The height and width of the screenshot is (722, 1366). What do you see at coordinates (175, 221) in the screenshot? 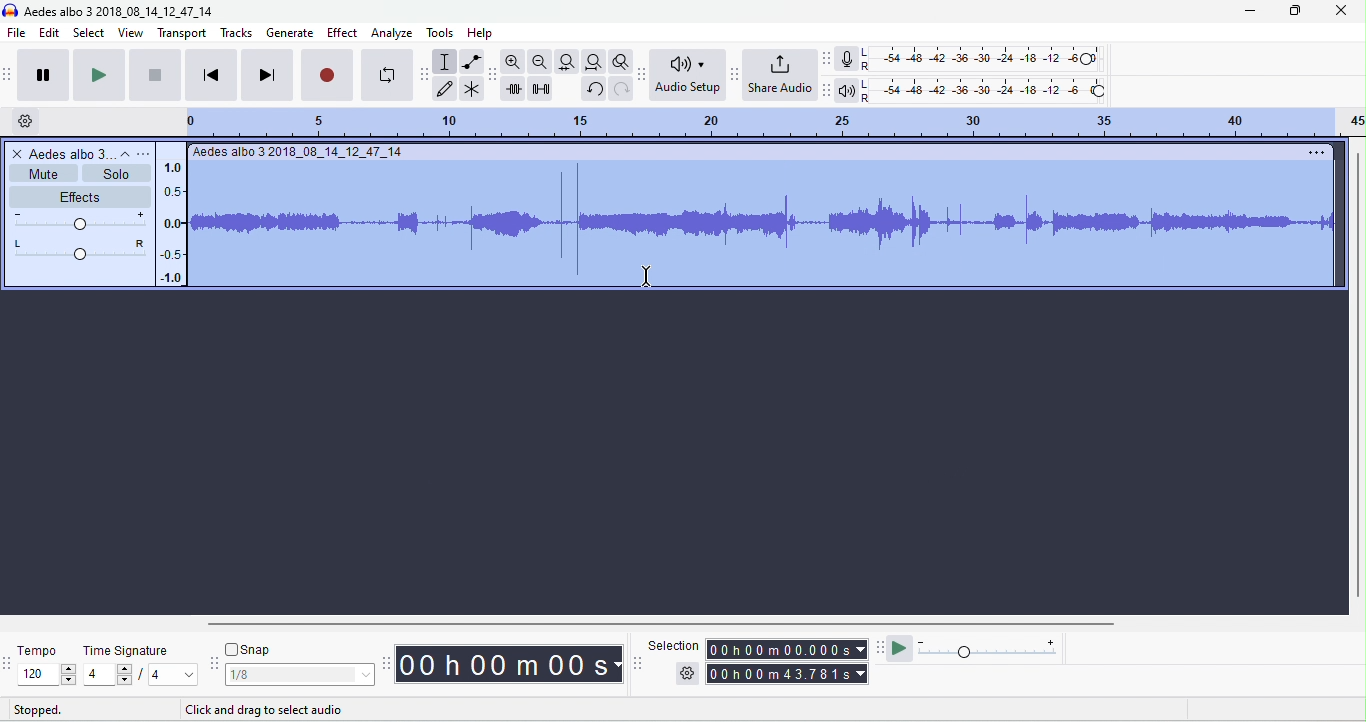
I see `amplitude` at bounding box center [175, 221].